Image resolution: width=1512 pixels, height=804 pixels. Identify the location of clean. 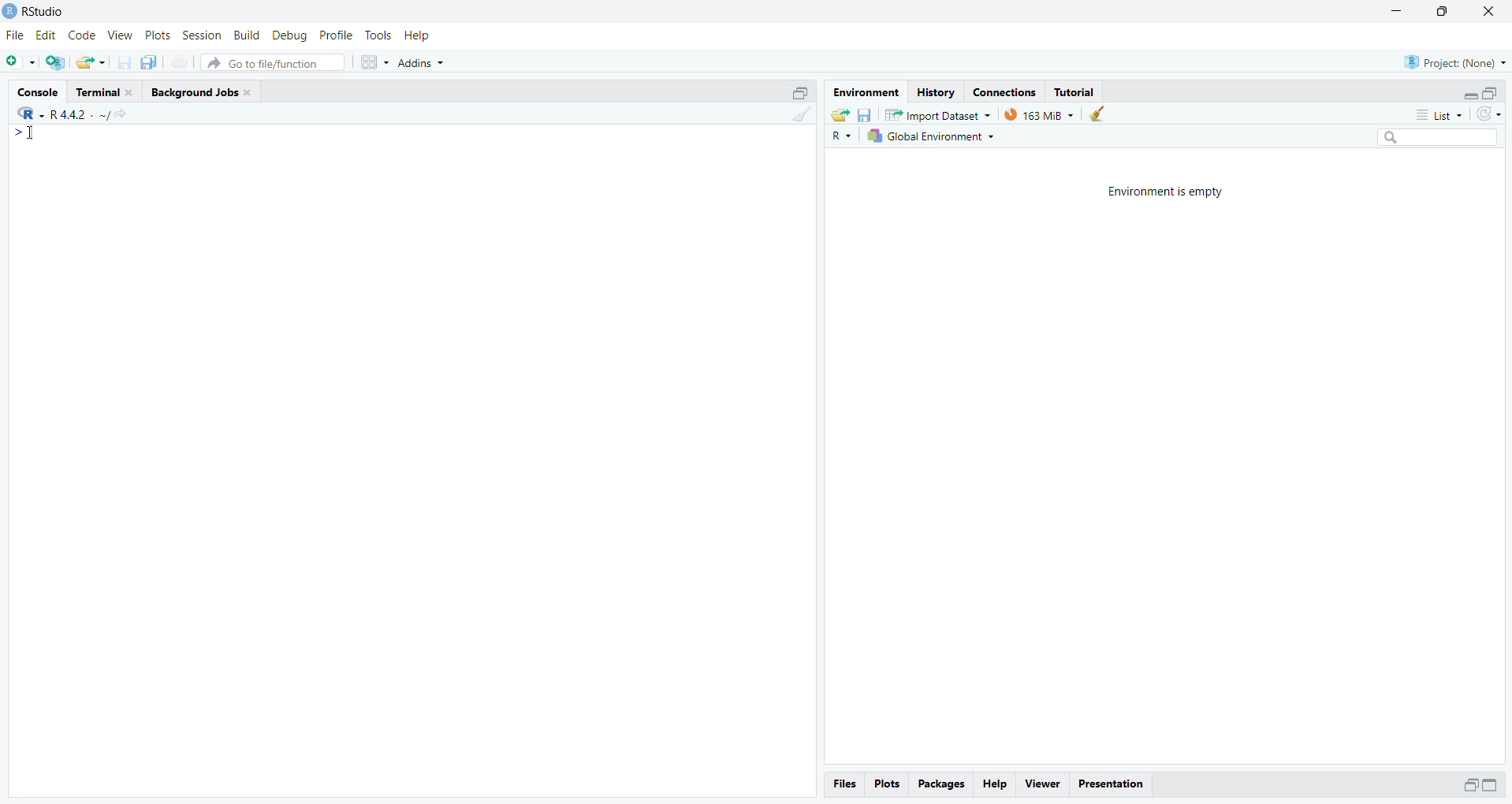
(803, 114).